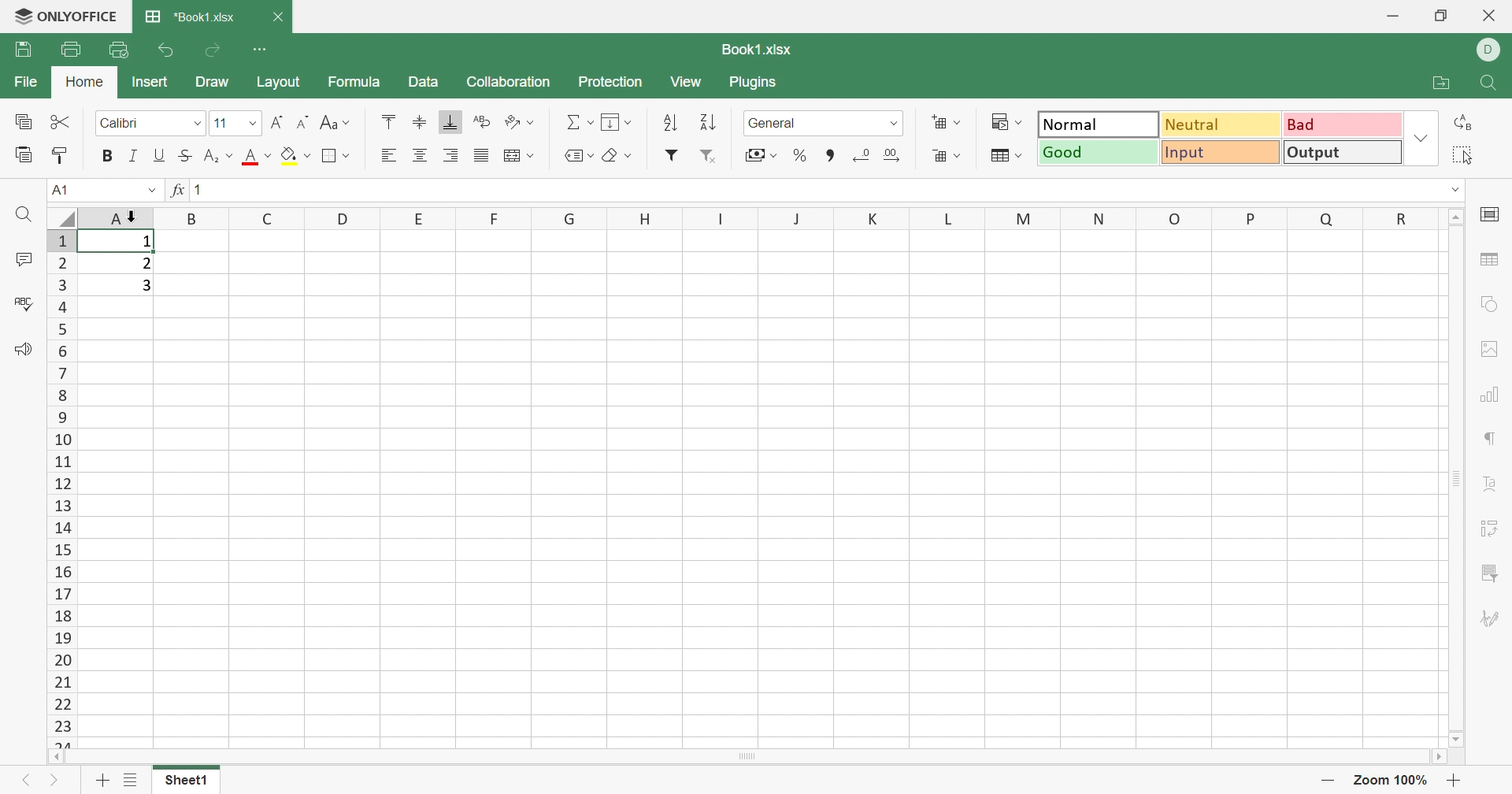 Image resolution: width=1512 pixels, height=794 pixels. Describe the element at coordinates (1455, 783) in the screenshot. I see `Zoom out` at that location.